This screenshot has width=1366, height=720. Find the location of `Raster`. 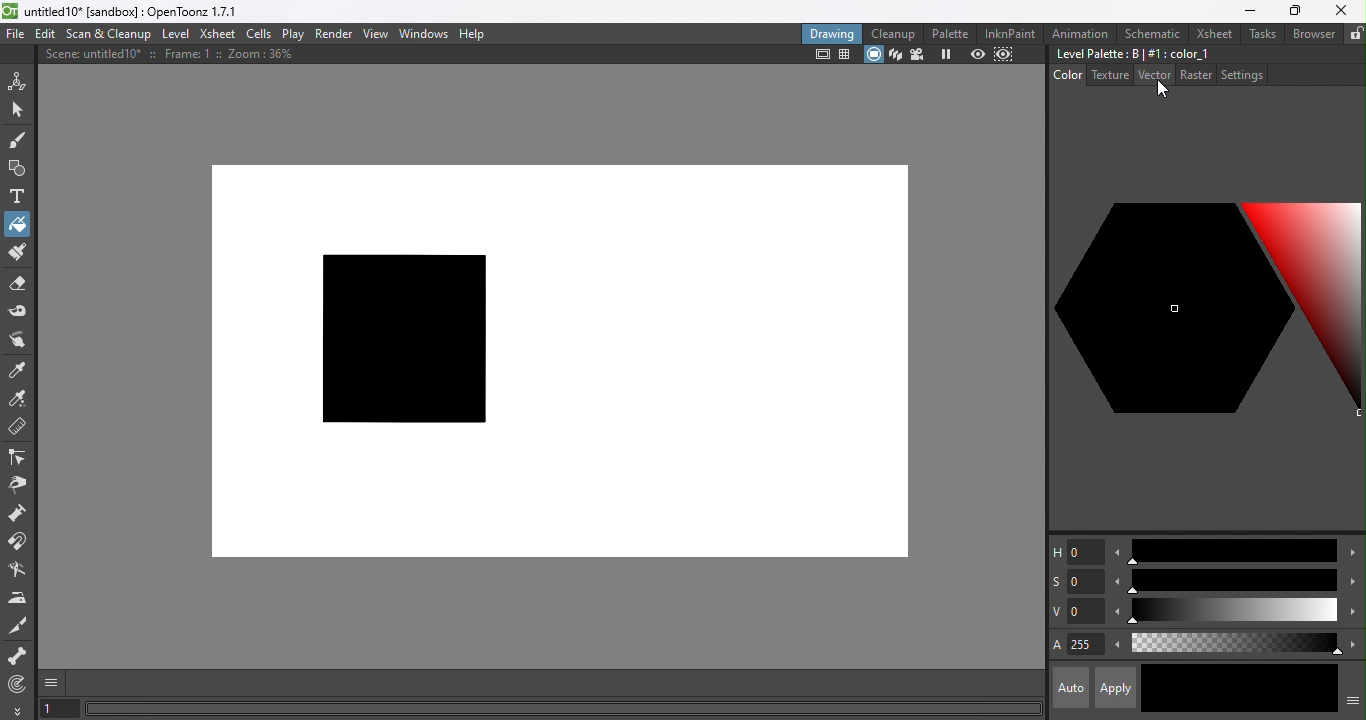

Raster is located at coordinates (1196, 76).